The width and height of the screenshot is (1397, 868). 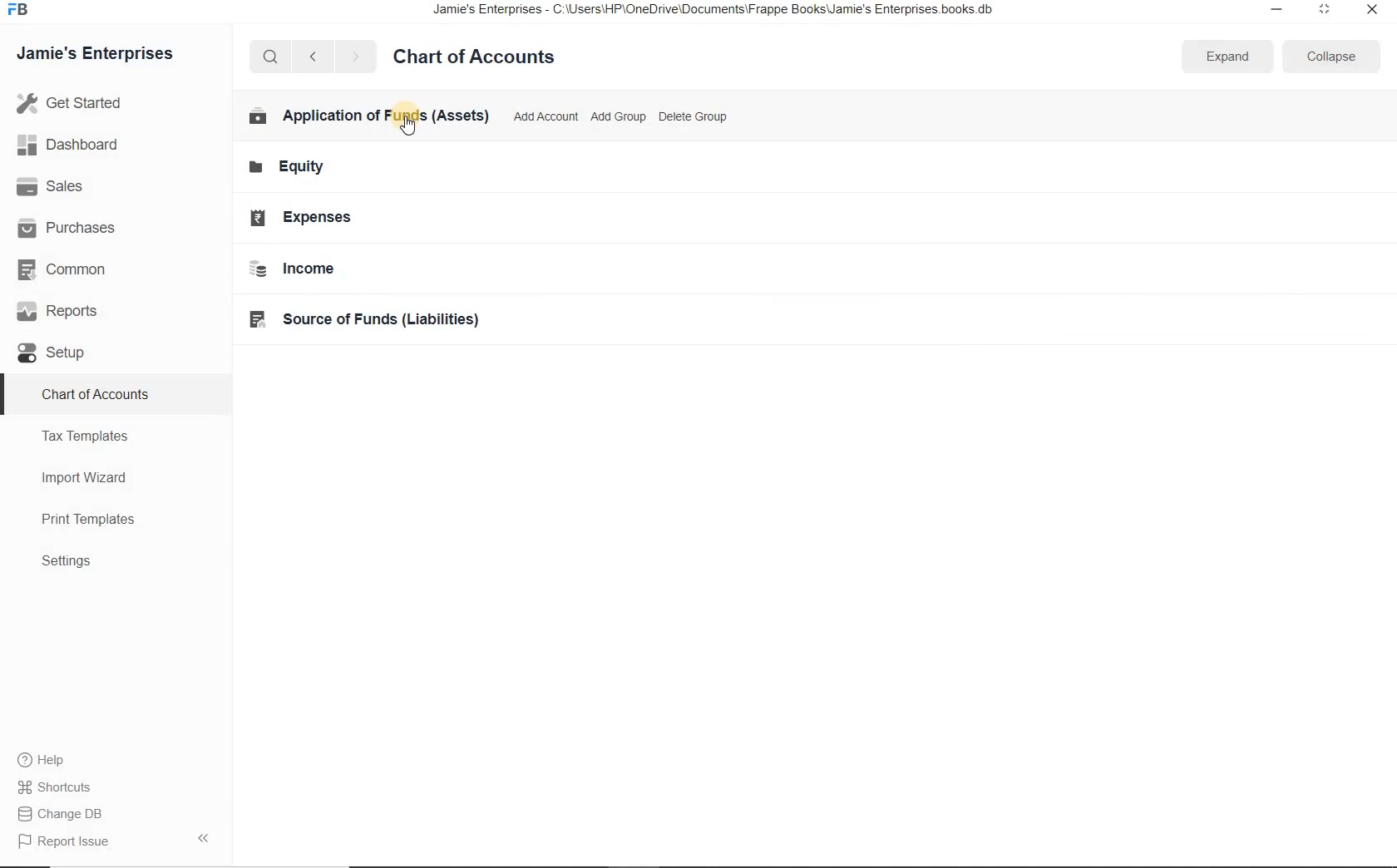 What do you see at coordinates (101, 55) in the screenshot?
I see `Jamie's Enterprises` at bounding box center [101, 55].